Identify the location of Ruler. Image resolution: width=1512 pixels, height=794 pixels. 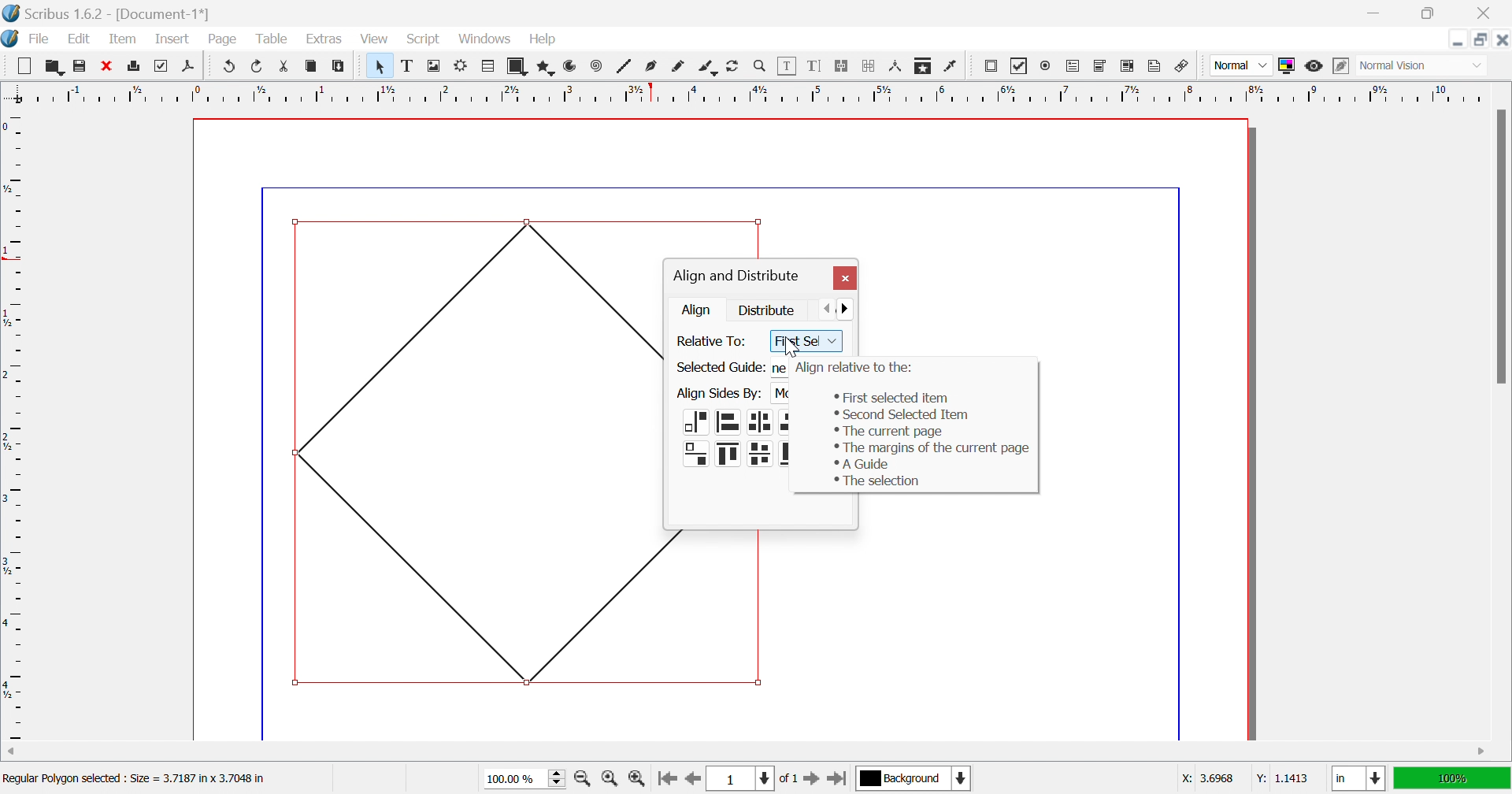
(14, 425).